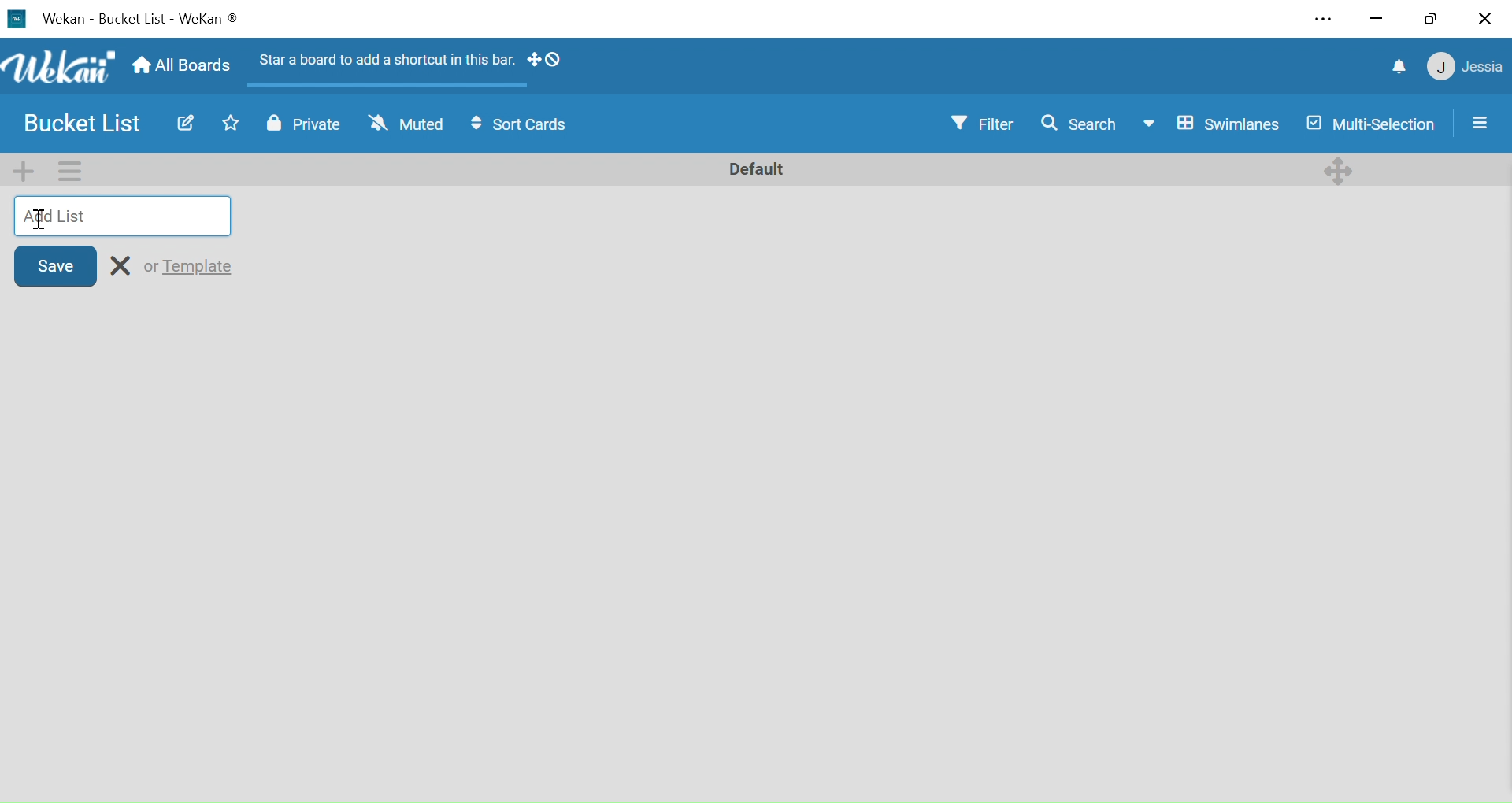 This screenshot has height=803, width=1512. What do you see at coordinates (1484, 68) in the screenshot?
I see `Username` at bounding box center [1484, 68].